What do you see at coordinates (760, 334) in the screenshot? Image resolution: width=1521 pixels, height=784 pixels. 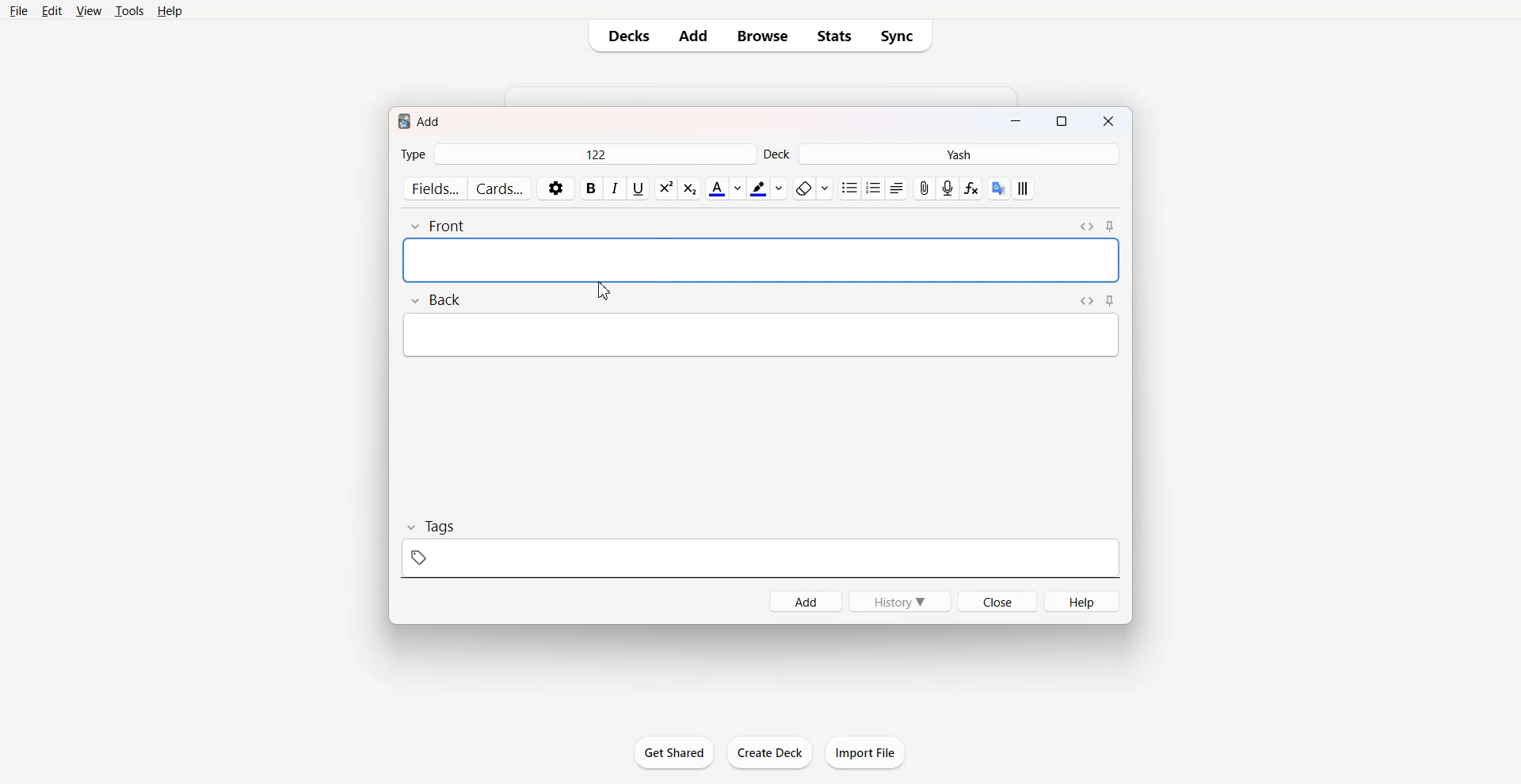 I see `back input field` at bounding box center [760, 334].